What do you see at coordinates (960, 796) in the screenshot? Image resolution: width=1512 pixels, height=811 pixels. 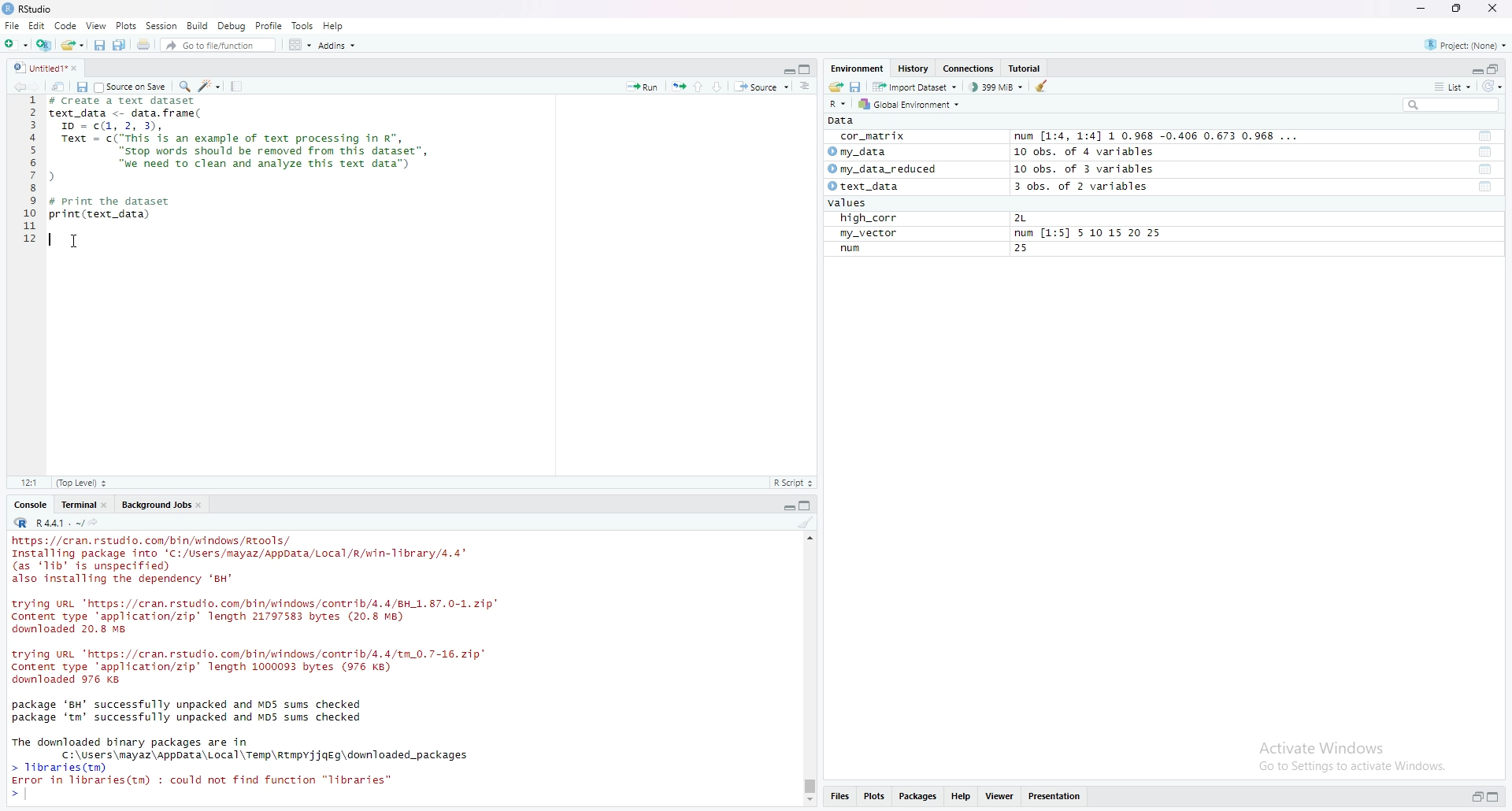 I see `help` at bounding box center [960, 796].